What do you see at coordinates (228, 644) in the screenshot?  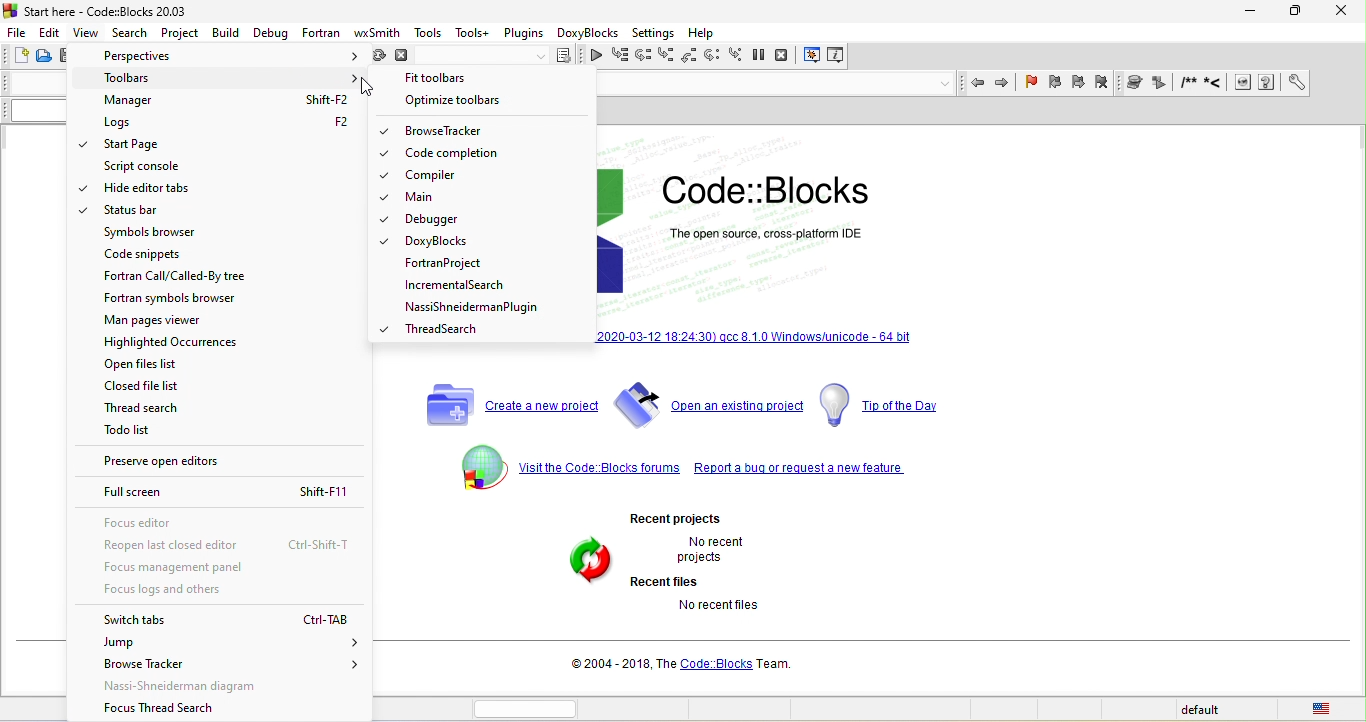 I see `jump` at bounding box center [228, 644].